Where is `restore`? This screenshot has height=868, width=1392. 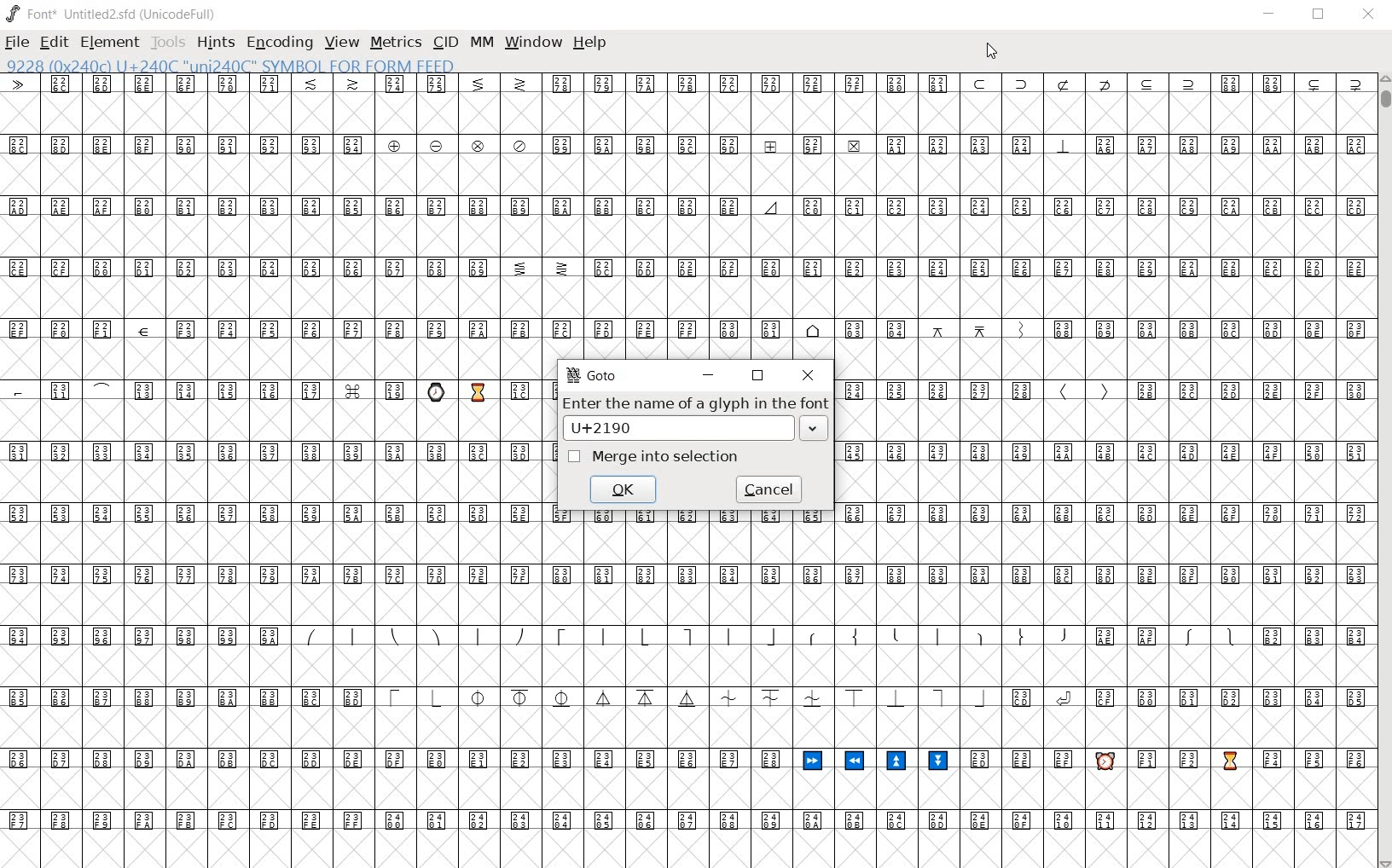
restore is located at coordinates (757, 376).